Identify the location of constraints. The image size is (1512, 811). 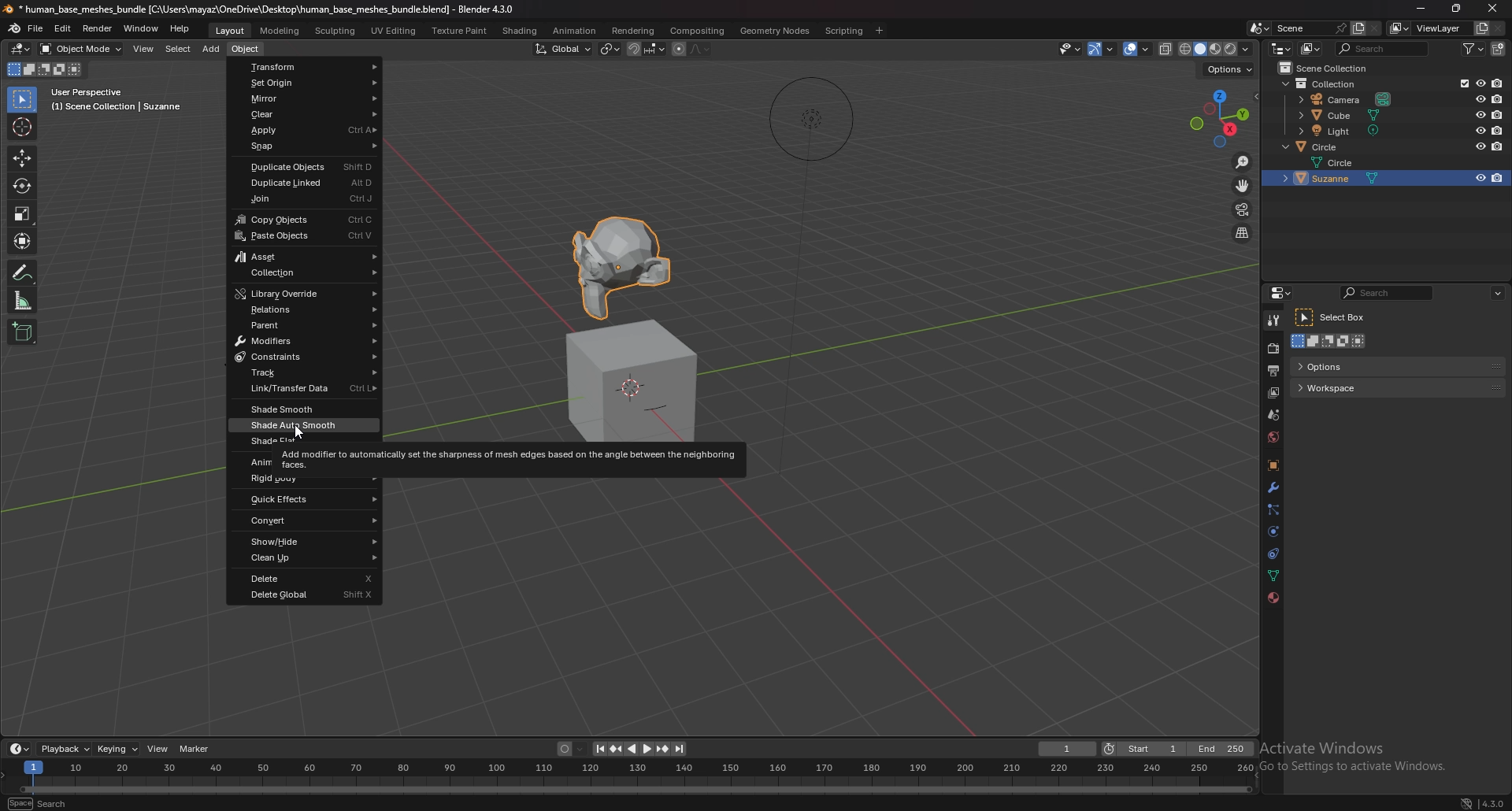
(1275, 554).